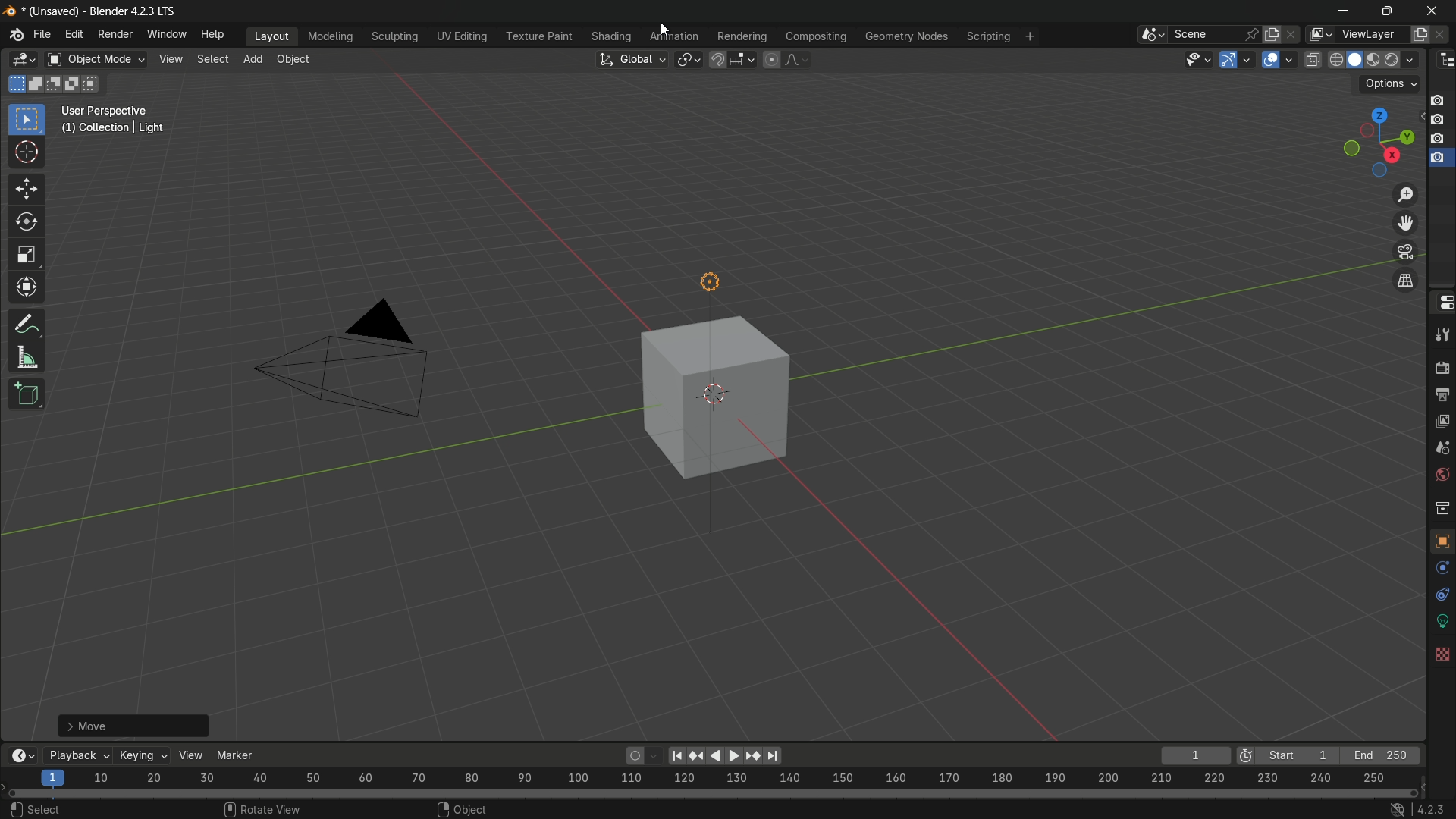  What do you see at coordinates (116, 34) in the screenshot?
I see `render menu` at bounding box center [116, 34].